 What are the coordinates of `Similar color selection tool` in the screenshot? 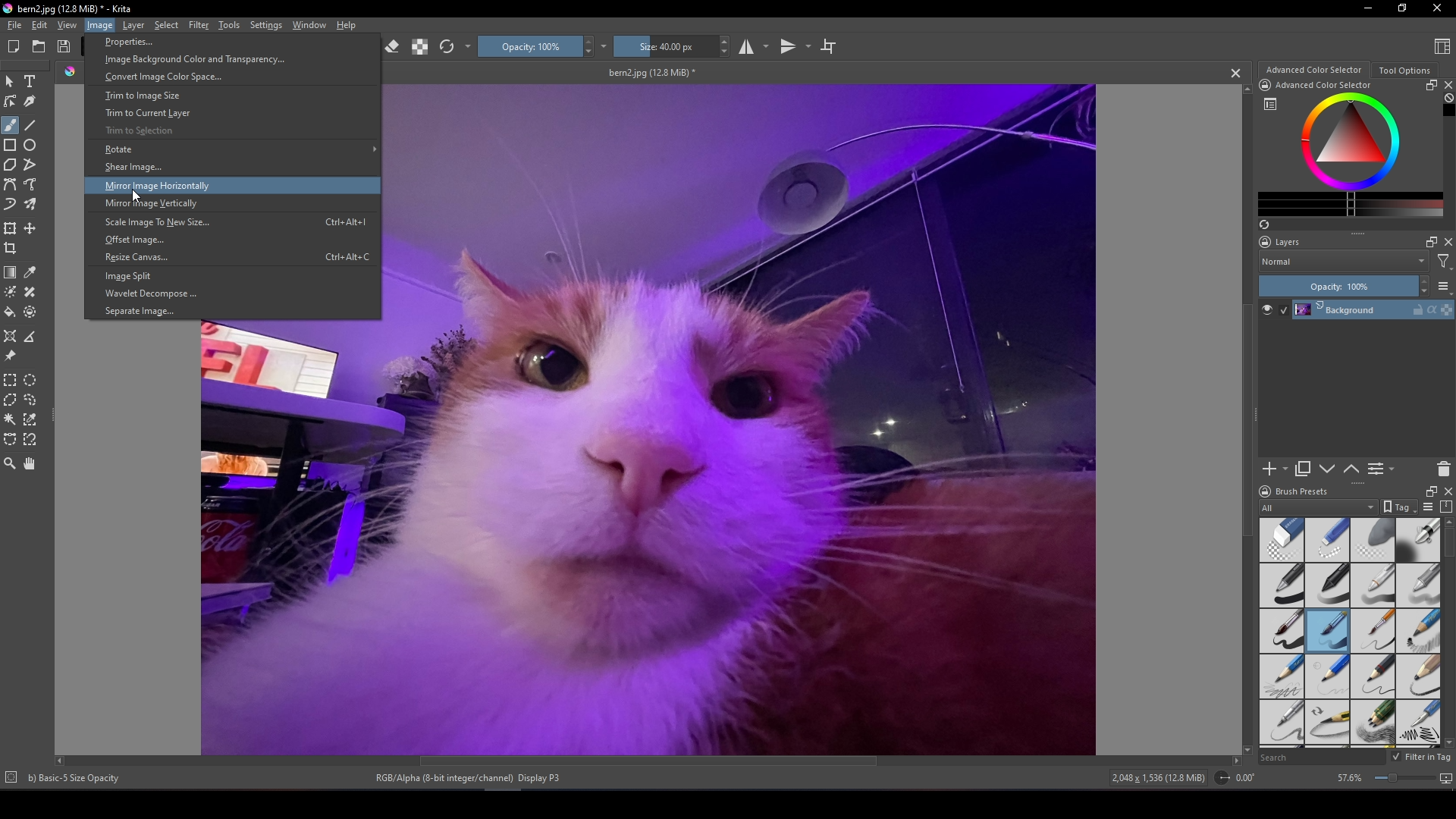 It's located at (30, 419).